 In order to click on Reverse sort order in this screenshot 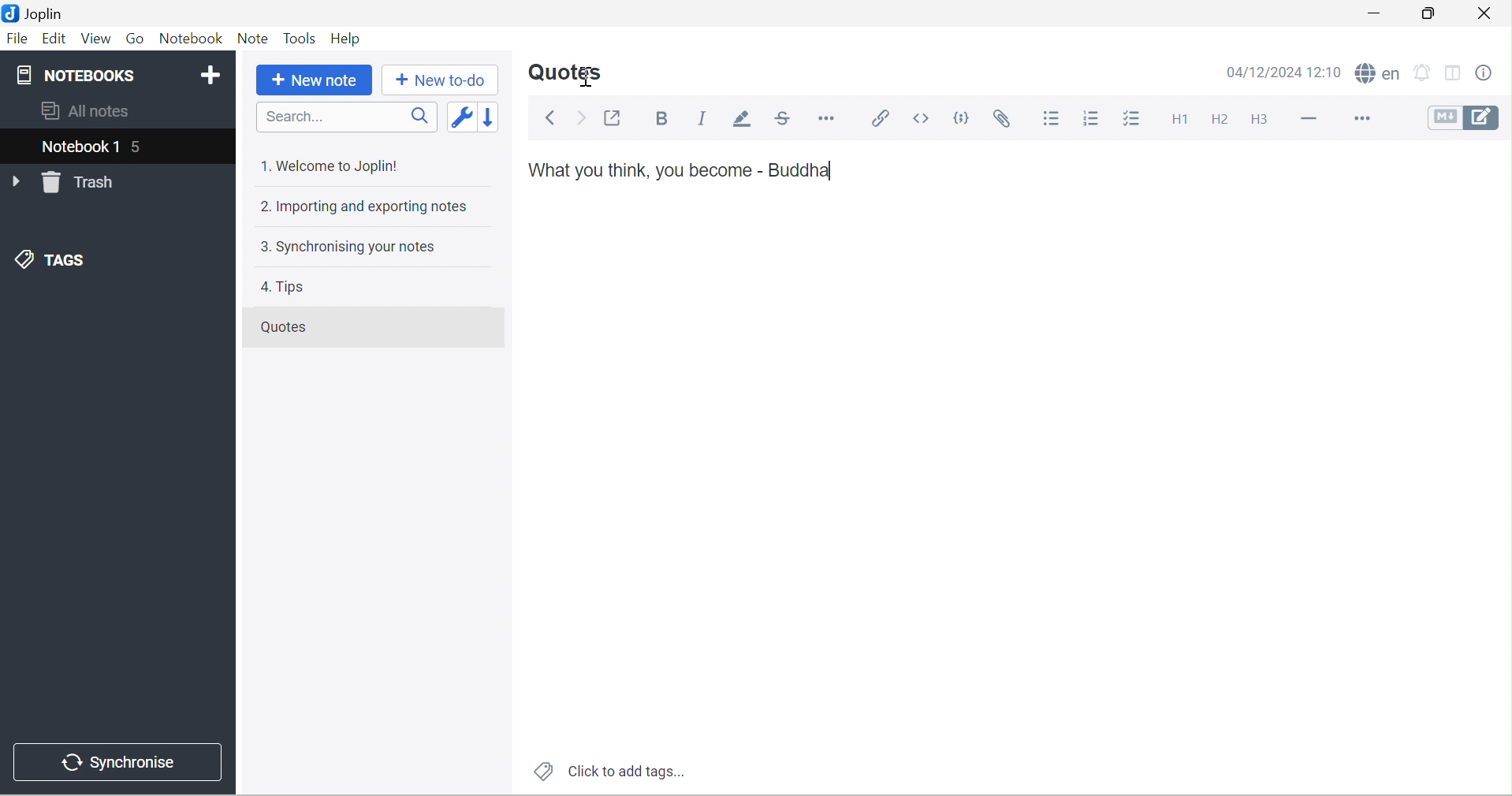, I will do `click(492, 114)`.